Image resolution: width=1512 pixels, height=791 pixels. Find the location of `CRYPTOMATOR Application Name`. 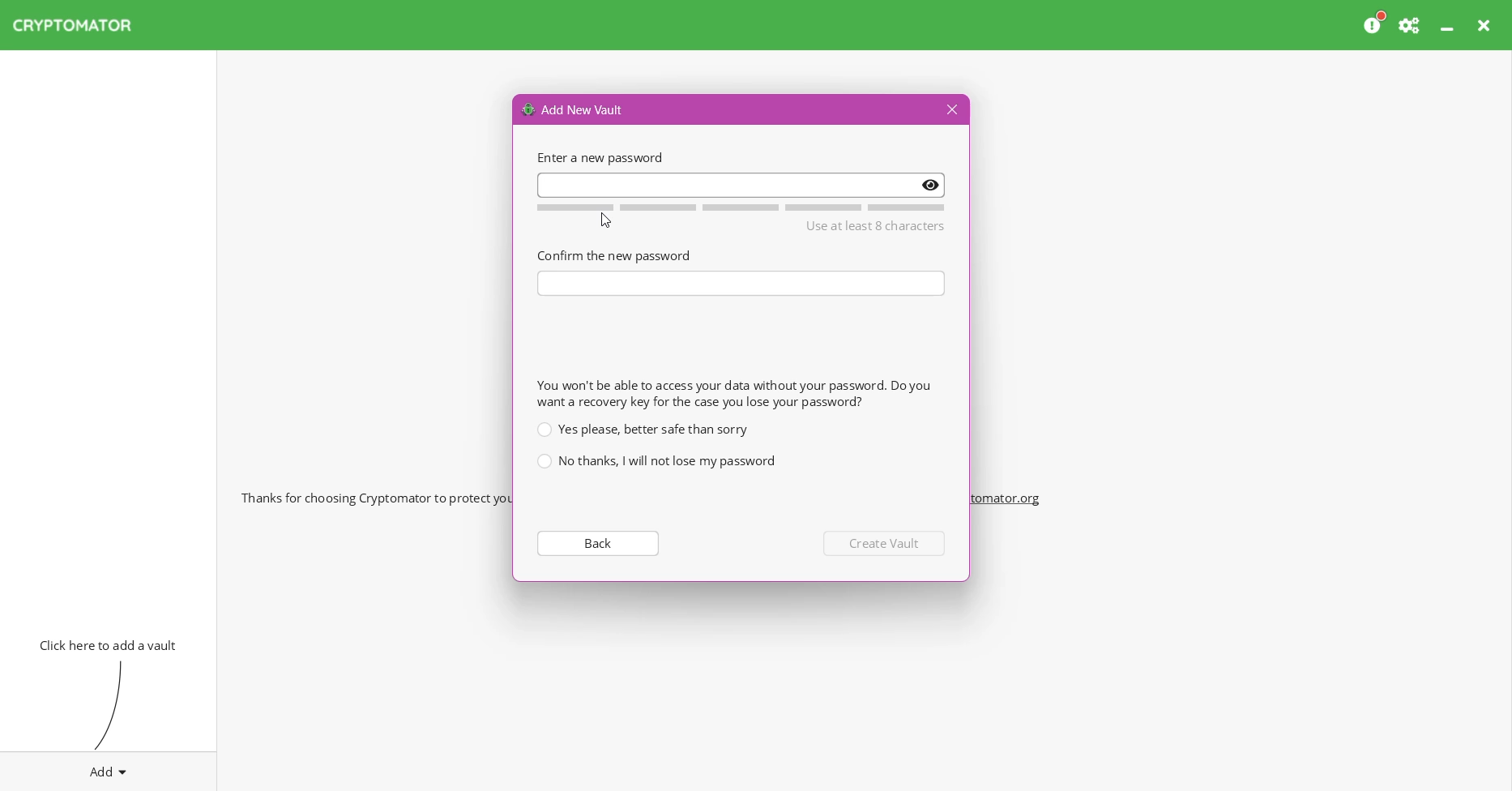

CRYPTOMATOR Application Name is located at coordinates (80, 25).